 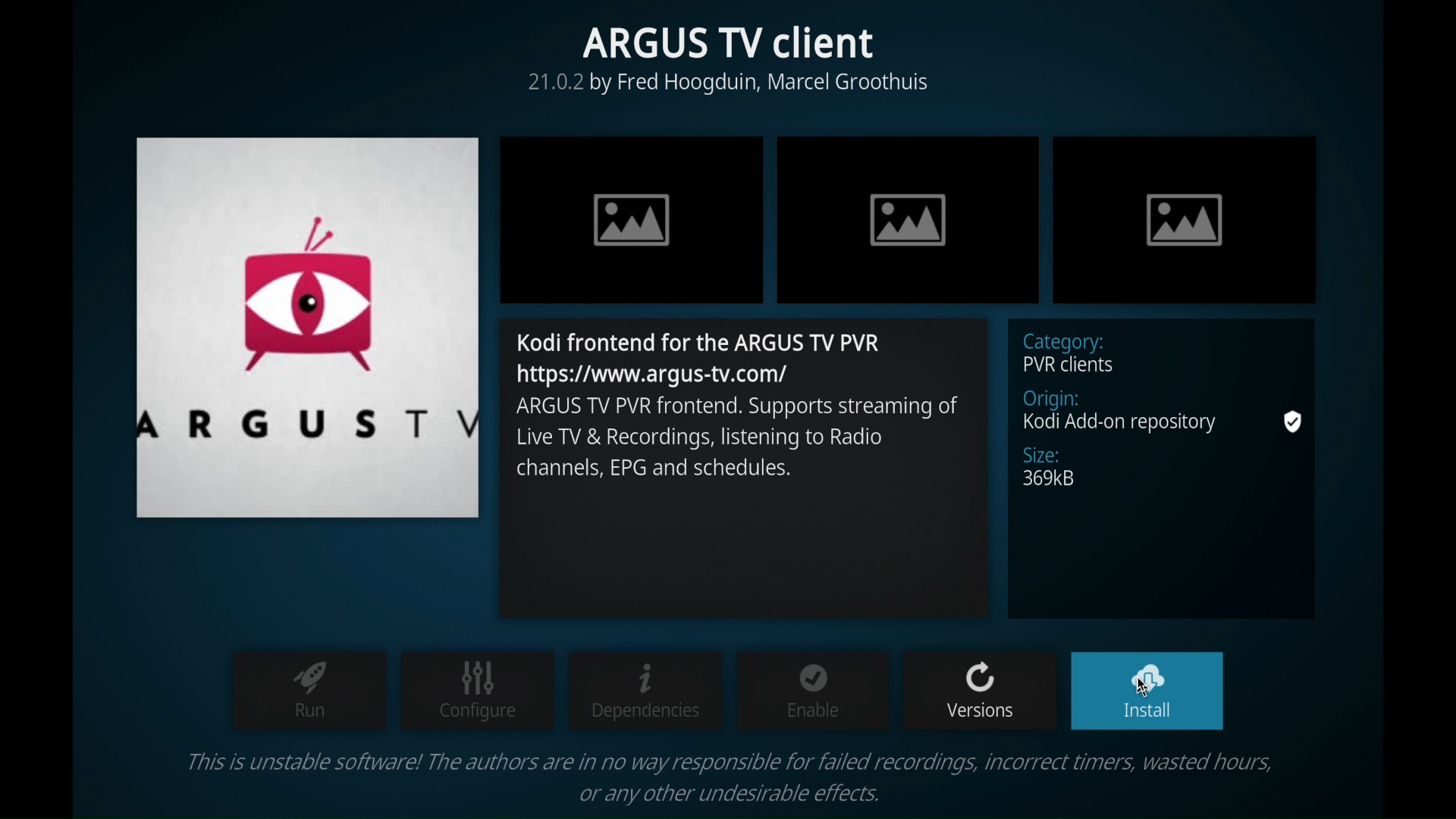 I want to click on Size : 369kB, so click(x=1053, y=469).